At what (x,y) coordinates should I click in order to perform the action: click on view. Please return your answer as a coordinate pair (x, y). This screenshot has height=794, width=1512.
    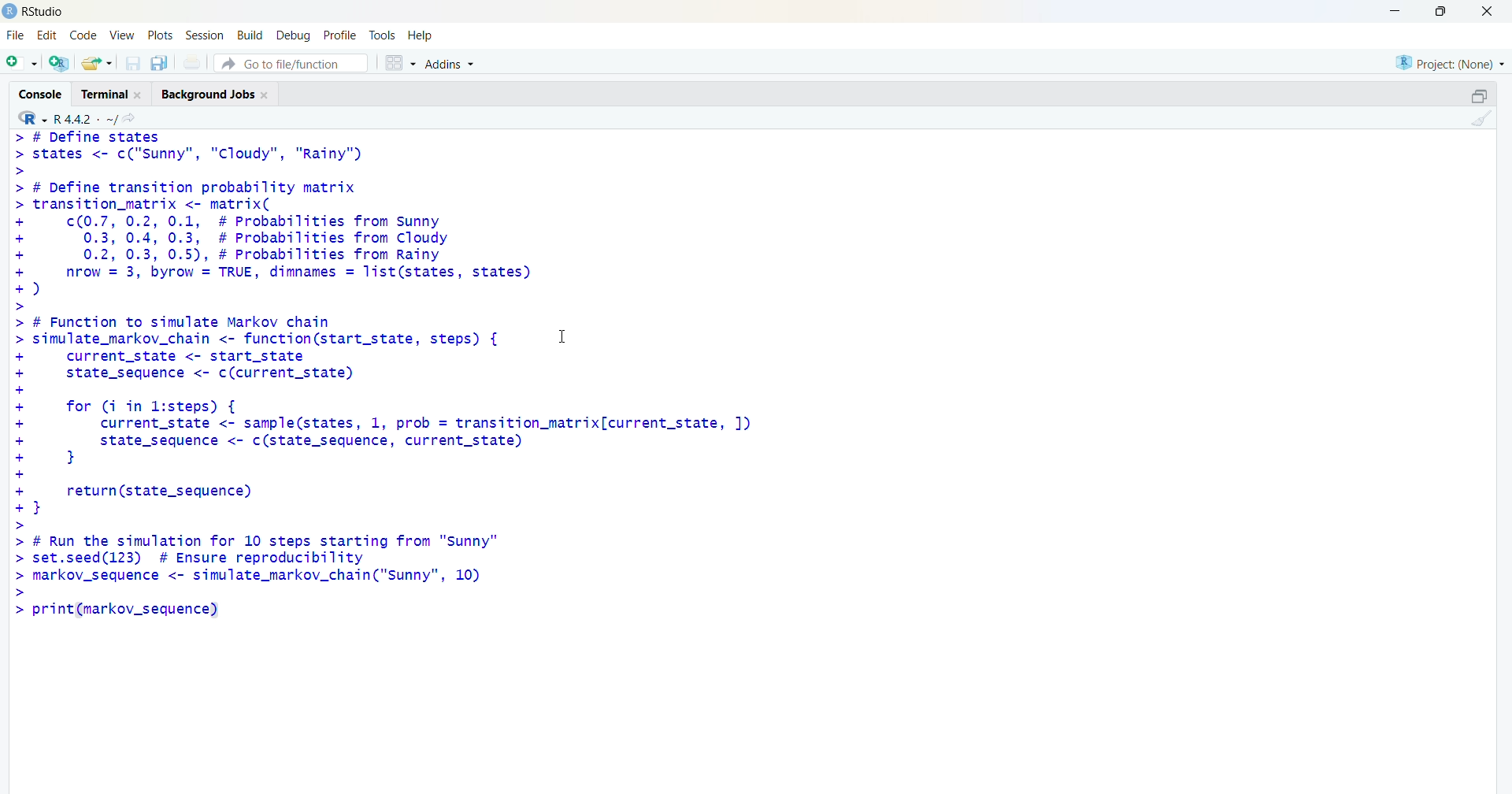
    Looking at the image, I should click on (122, 34).